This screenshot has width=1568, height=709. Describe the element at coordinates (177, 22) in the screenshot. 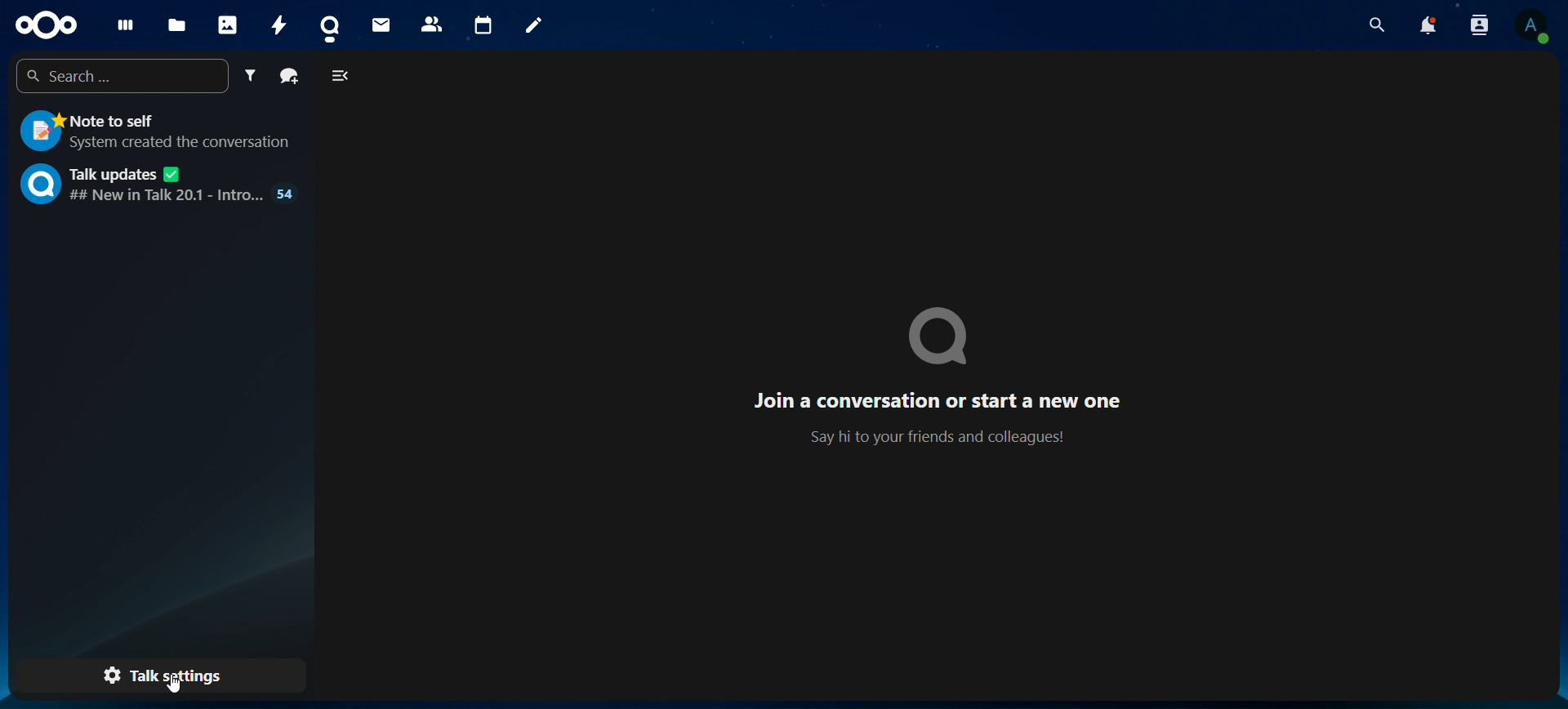

I see `files` at that location.